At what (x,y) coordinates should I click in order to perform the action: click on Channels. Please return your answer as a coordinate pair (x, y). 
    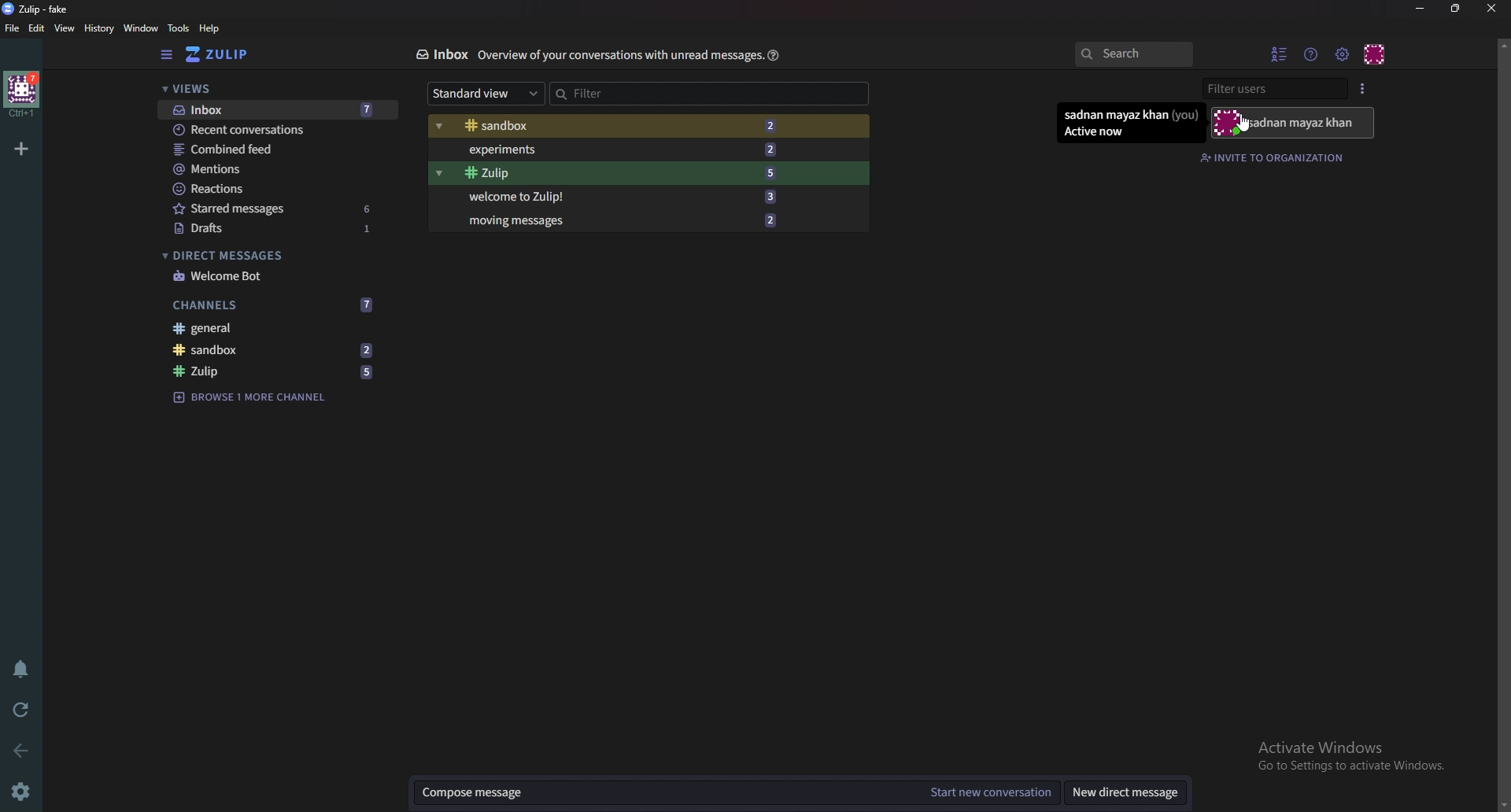
    Looking at the image, I should click on (271, 304).